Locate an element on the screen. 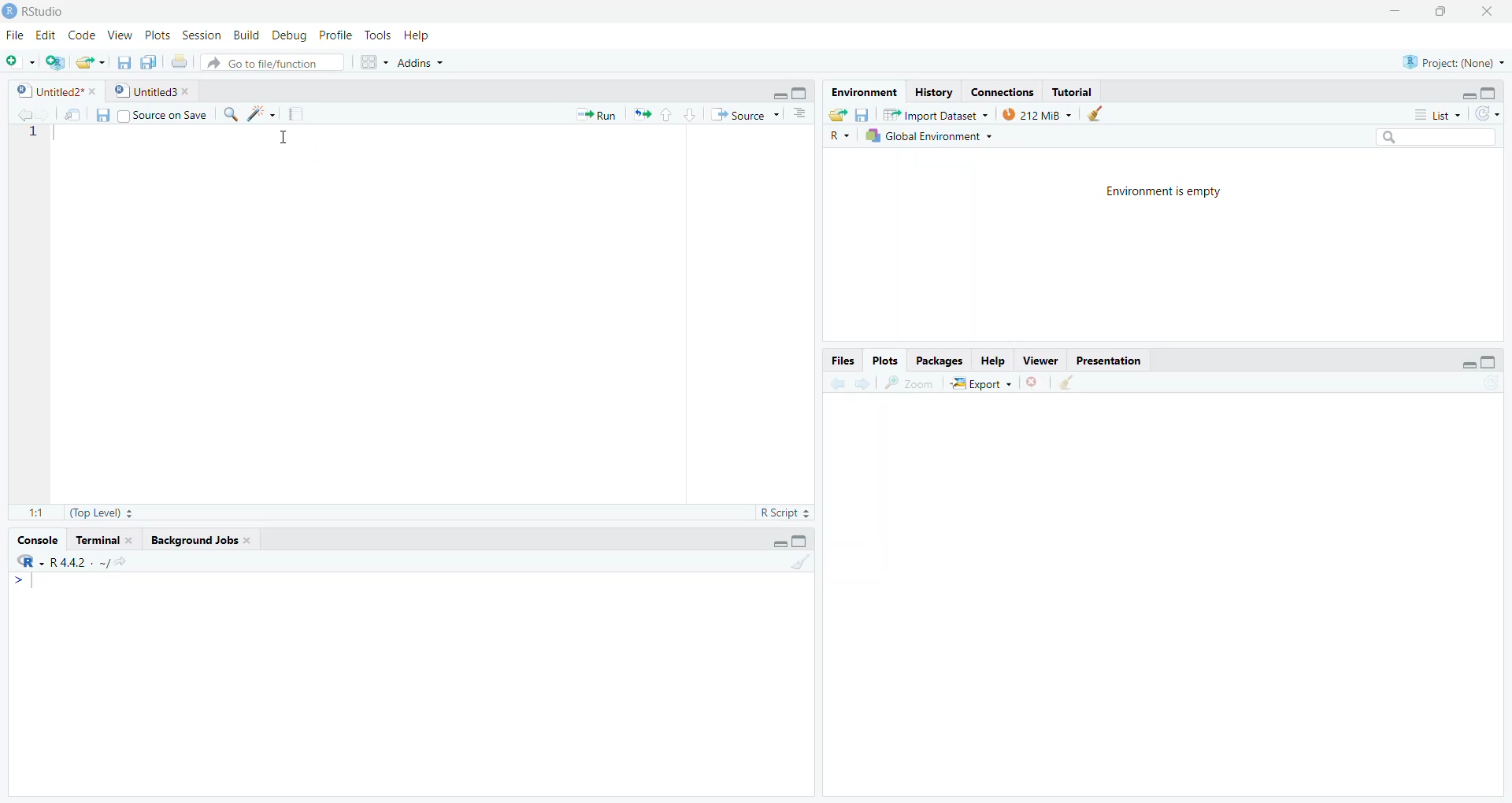 The image size is (1512, 803). brightness is located at coordinates (263, 115).